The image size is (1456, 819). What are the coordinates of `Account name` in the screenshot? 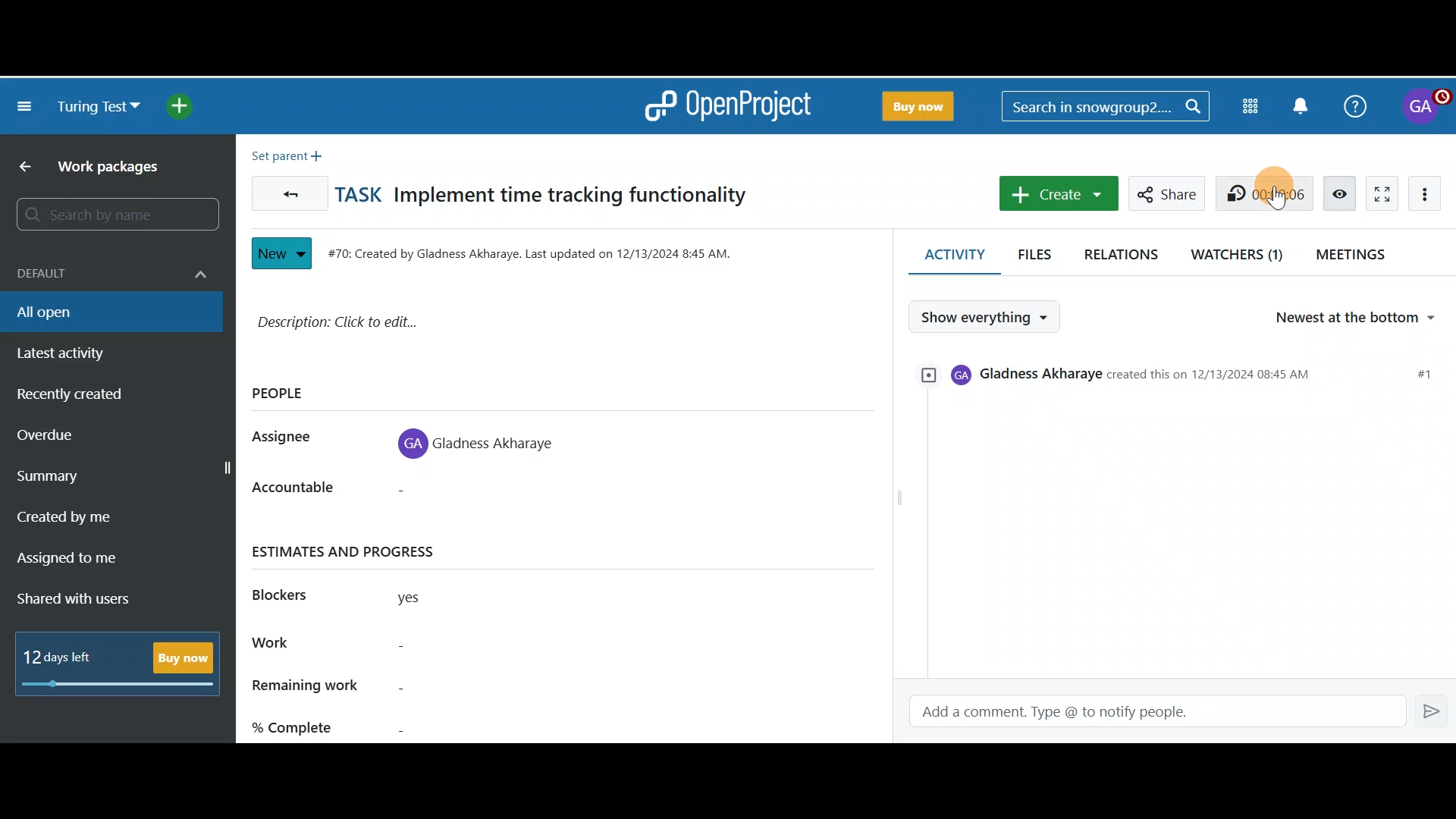 It's located at (1423, 107).